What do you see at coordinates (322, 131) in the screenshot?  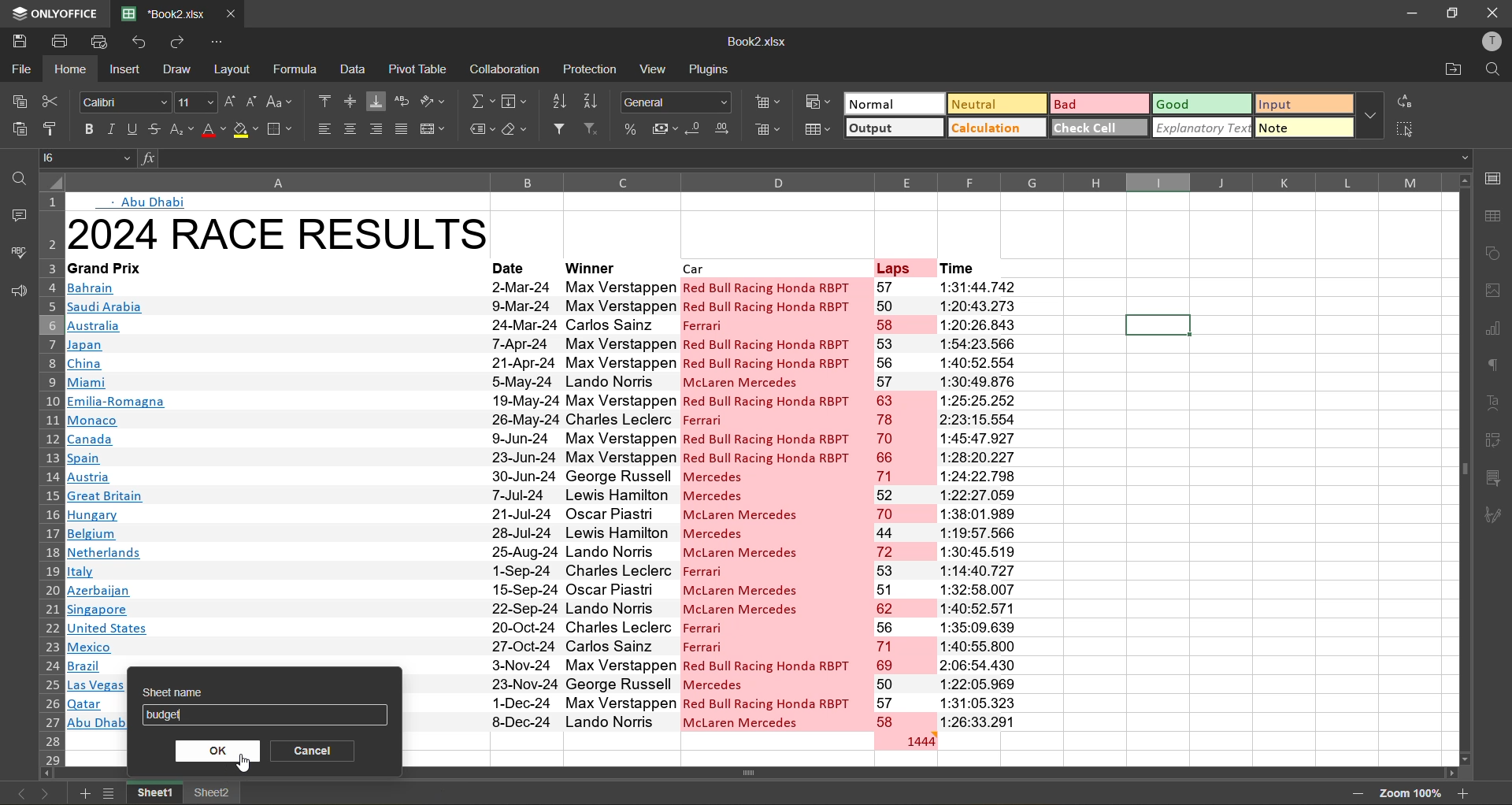 I see `align left` at bounding box center [322, 131].